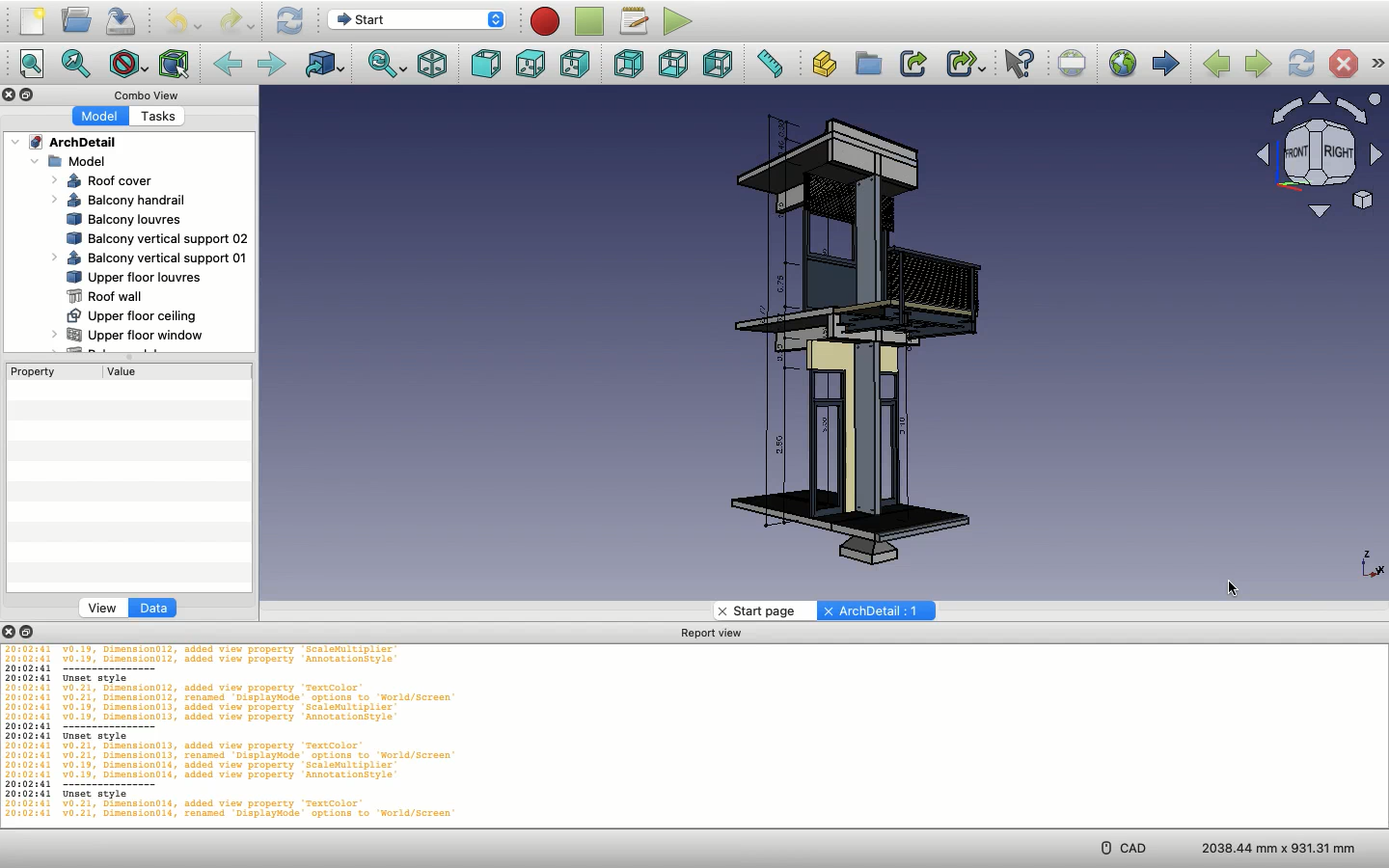 The image size is (1389, 868). What do you see at coordinates (134, 278) in the screenshot?
I see `Upper floor louvres` at bounding box center [134, 278].